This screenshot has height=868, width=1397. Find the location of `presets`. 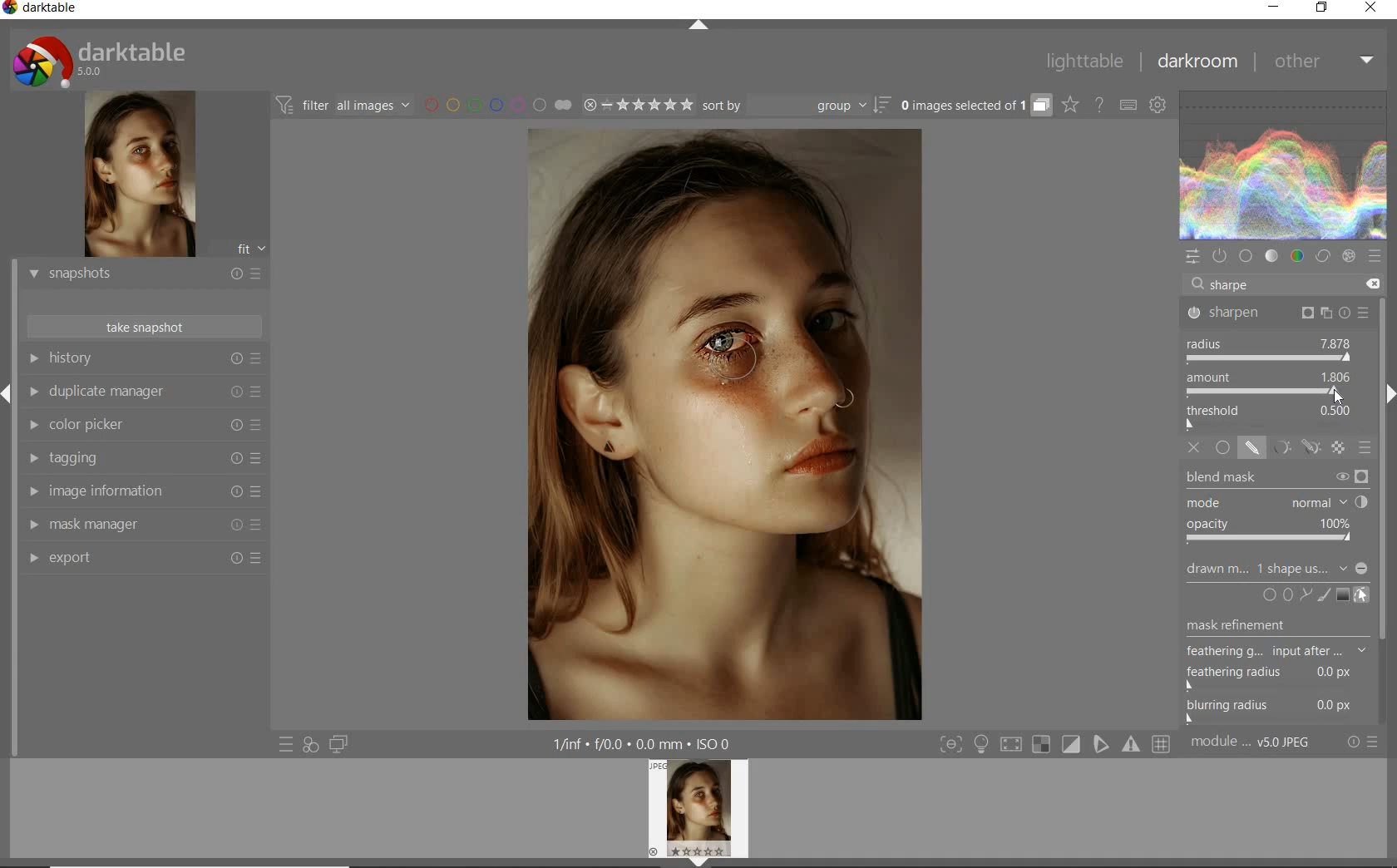

presets is located at coordinates (1374, 256).